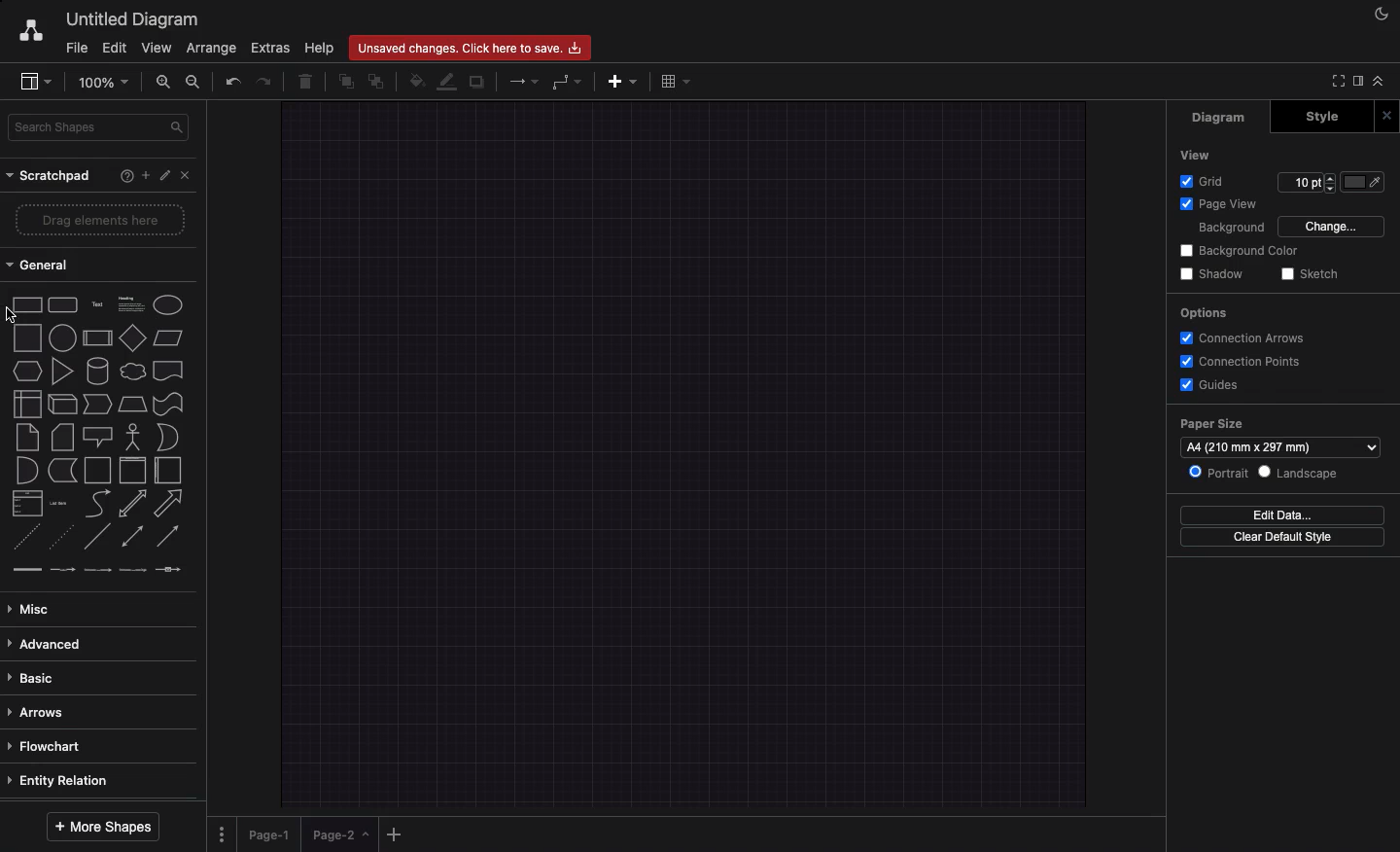 The width and height of the screenshot is (1400, 852). I want to click on Full screen, so click(1336, 83).